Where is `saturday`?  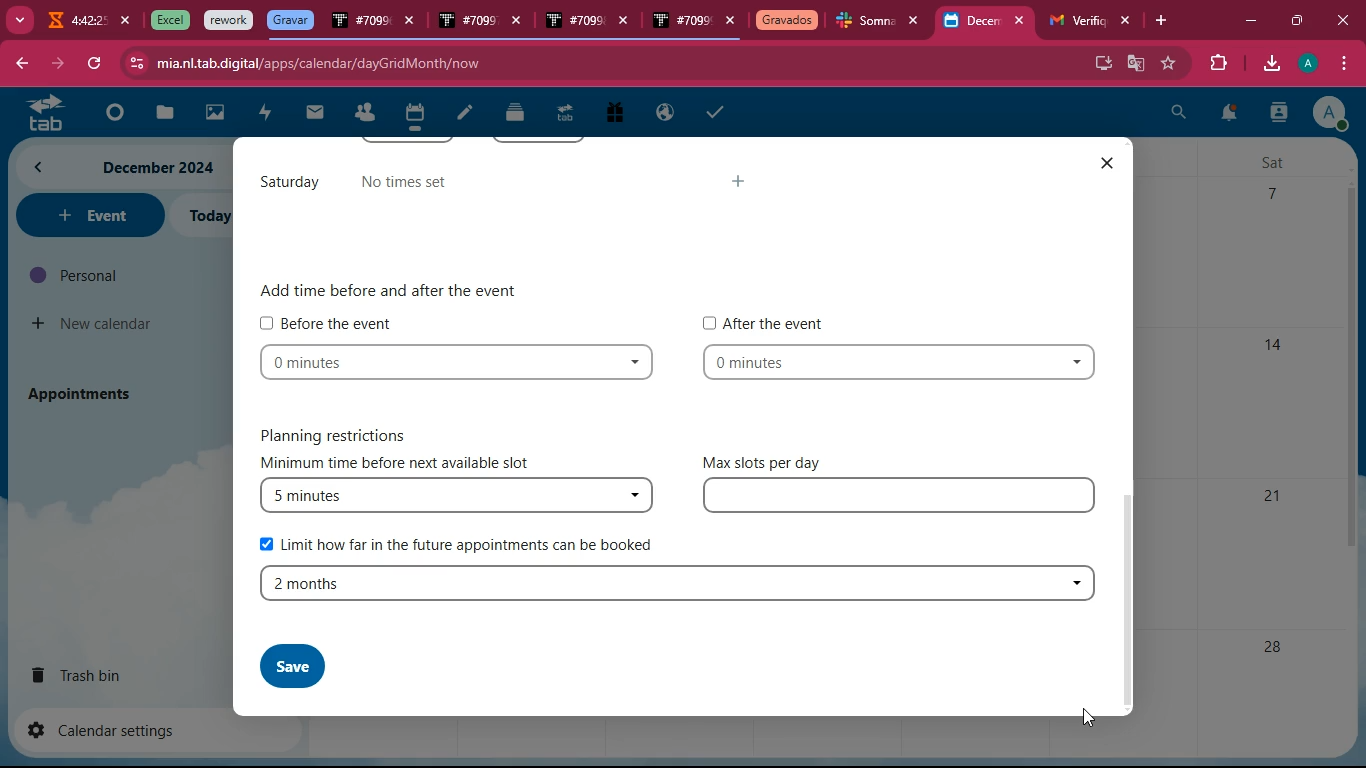 saturday is located at coordinates (286, 185).